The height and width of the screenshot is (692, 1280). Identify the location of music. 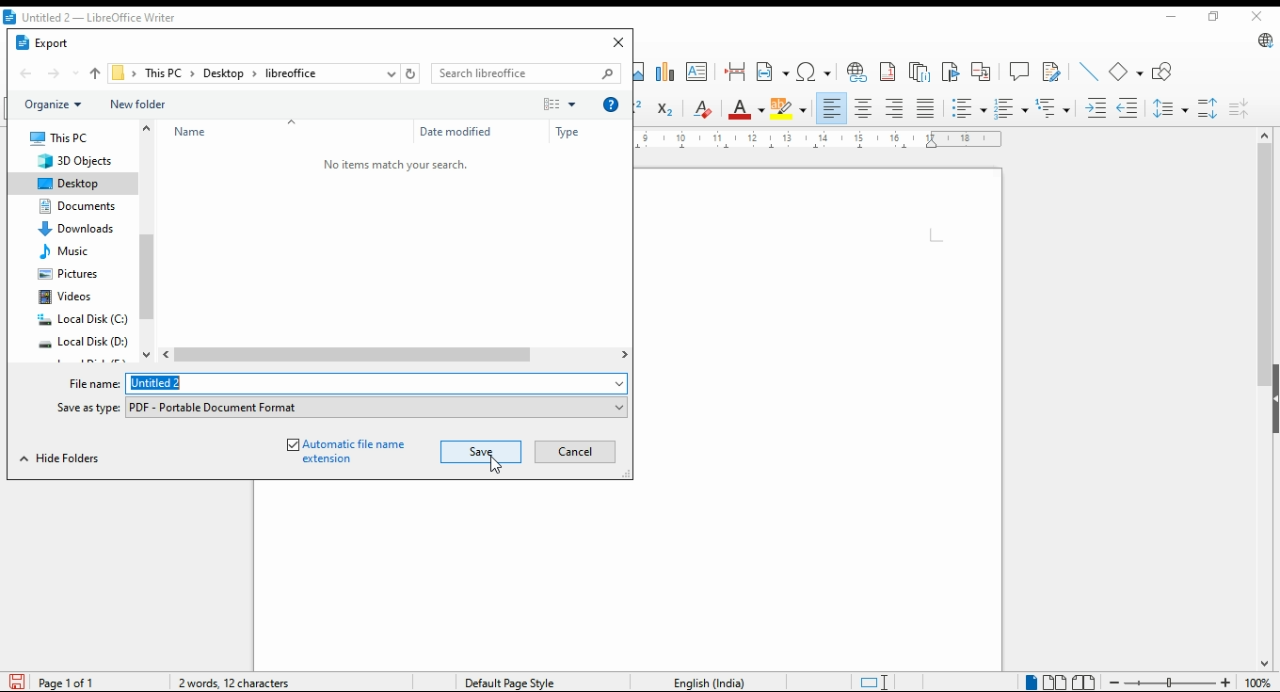
(72, 253).